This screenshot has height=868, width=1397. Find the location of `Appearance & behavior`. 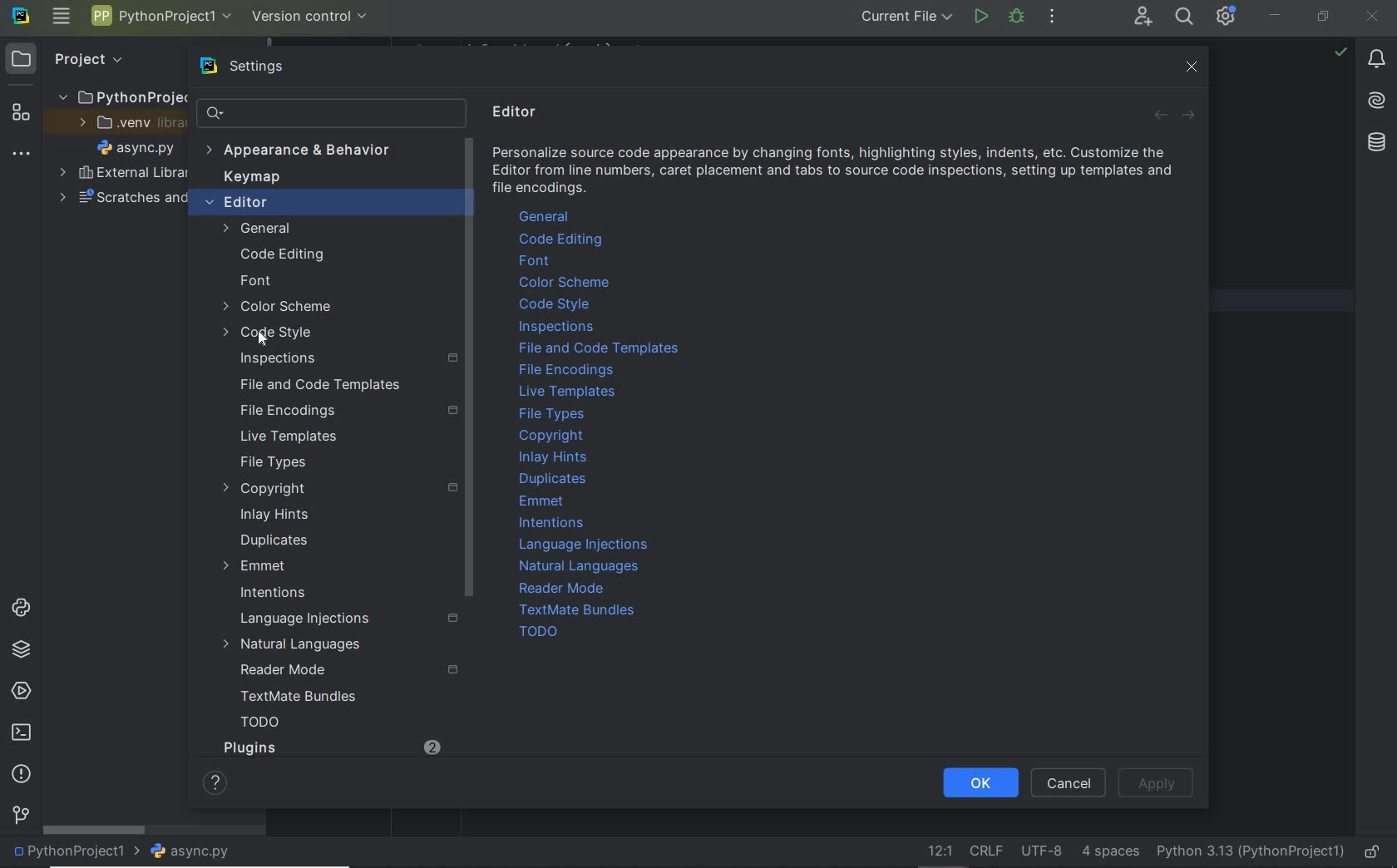

Appearance & behavior is located at coordinates (310, 151).